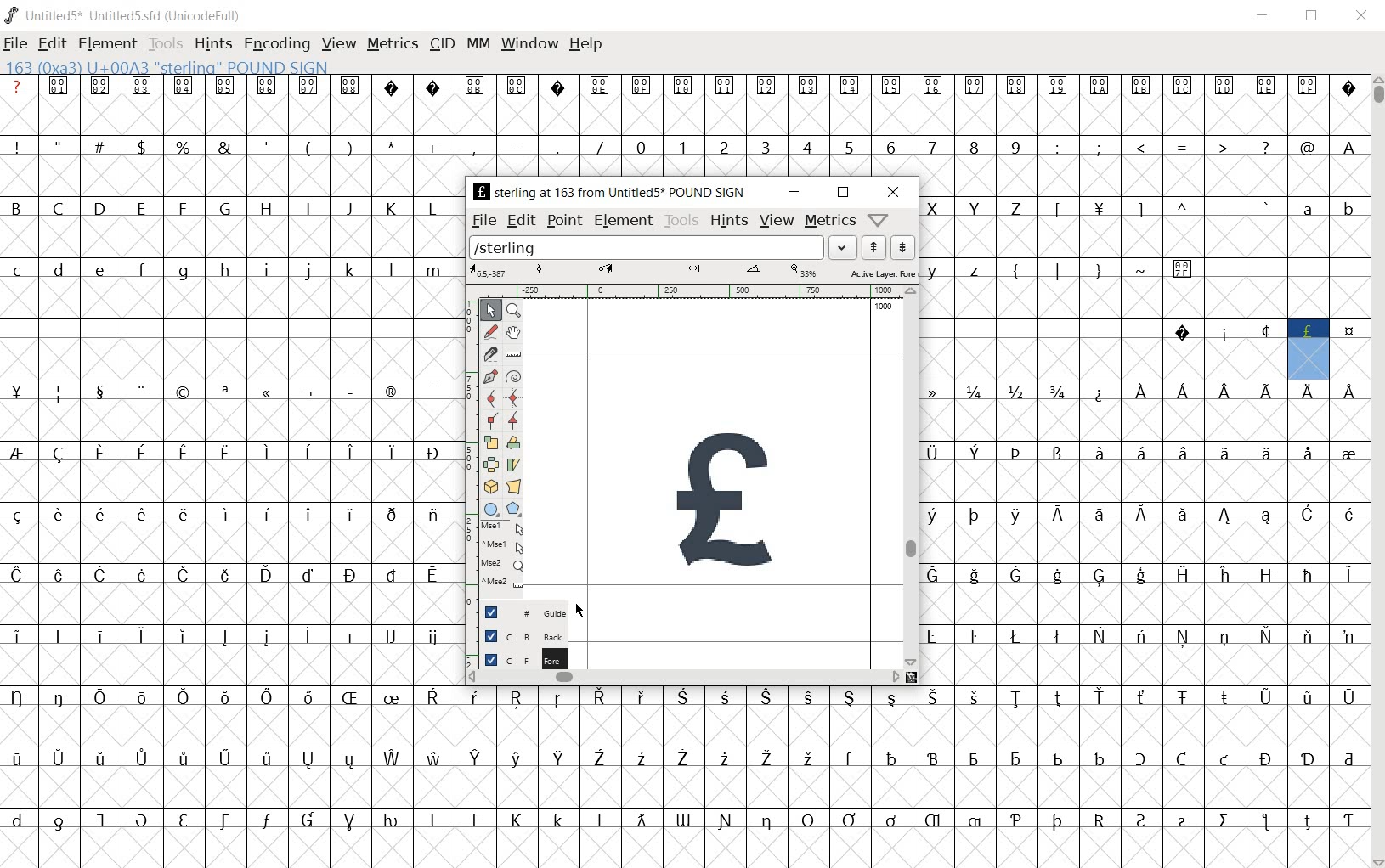 This screenshot has height=868, width=1385. I want to click on 1000, so click(883, 307).